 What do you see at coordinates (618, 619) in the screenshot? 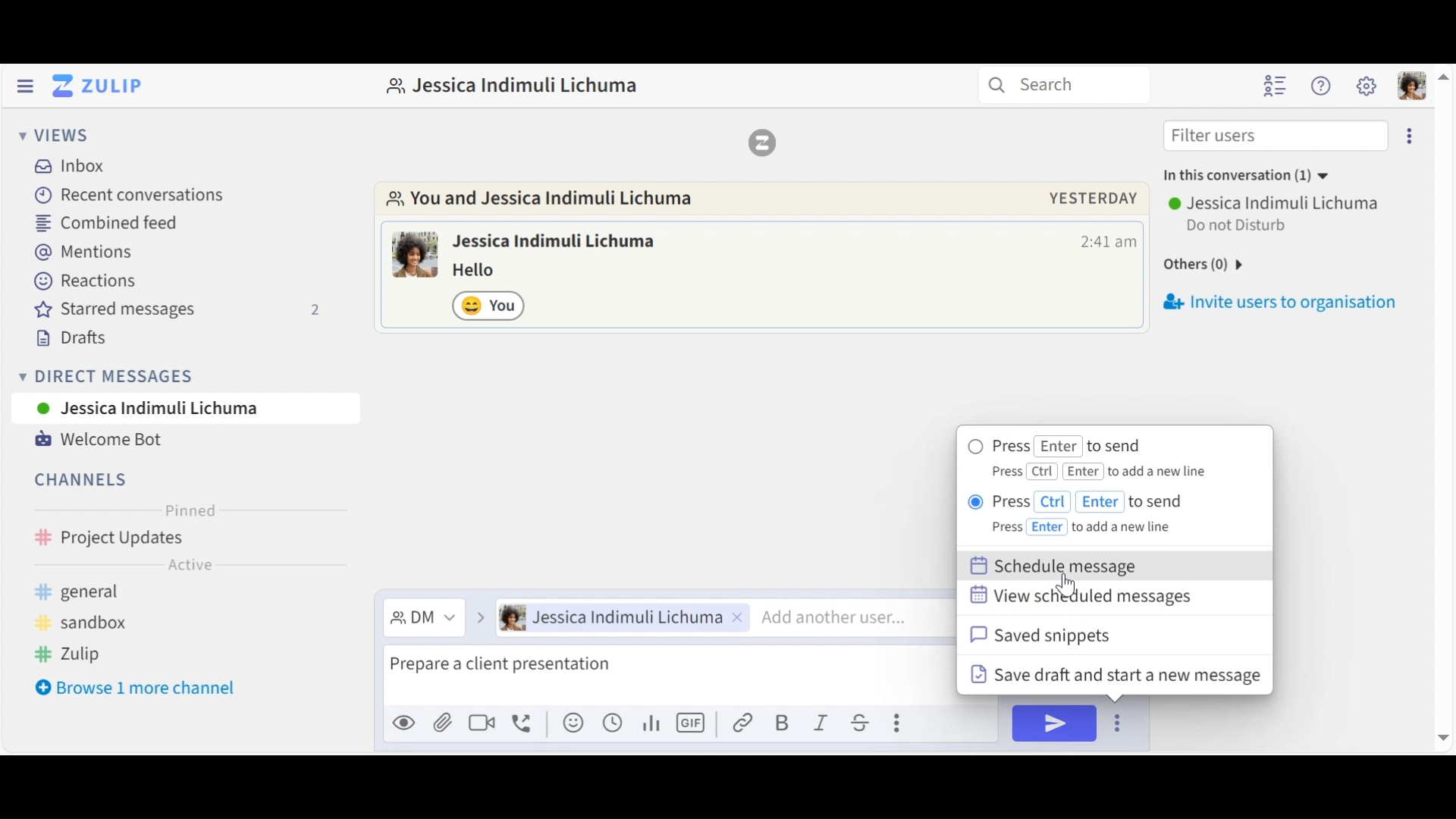
I see `User` at bounding box center [618, 619].